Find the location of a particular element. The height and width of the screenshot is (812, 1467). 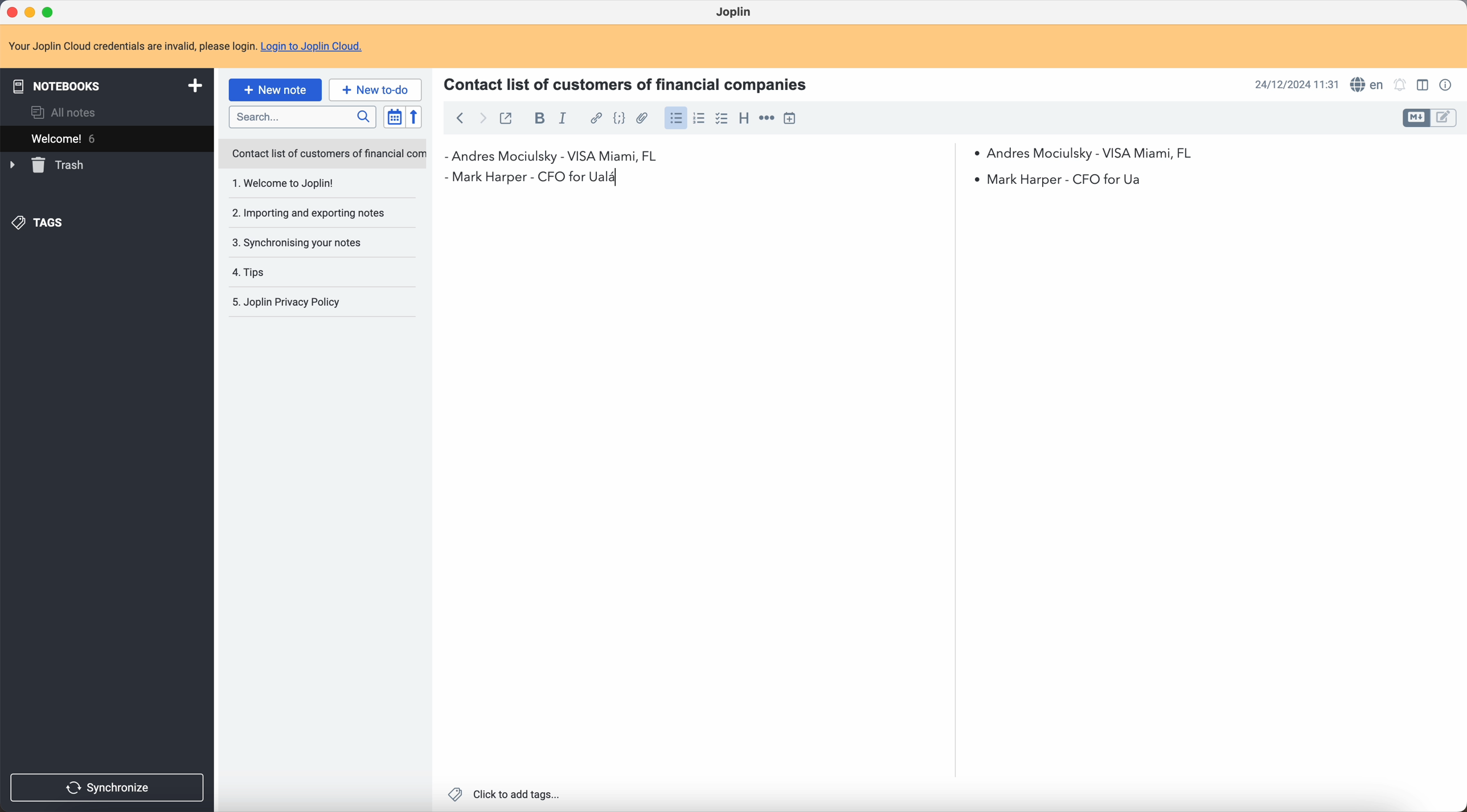

date and hour is located at coordinates (1296, 84).